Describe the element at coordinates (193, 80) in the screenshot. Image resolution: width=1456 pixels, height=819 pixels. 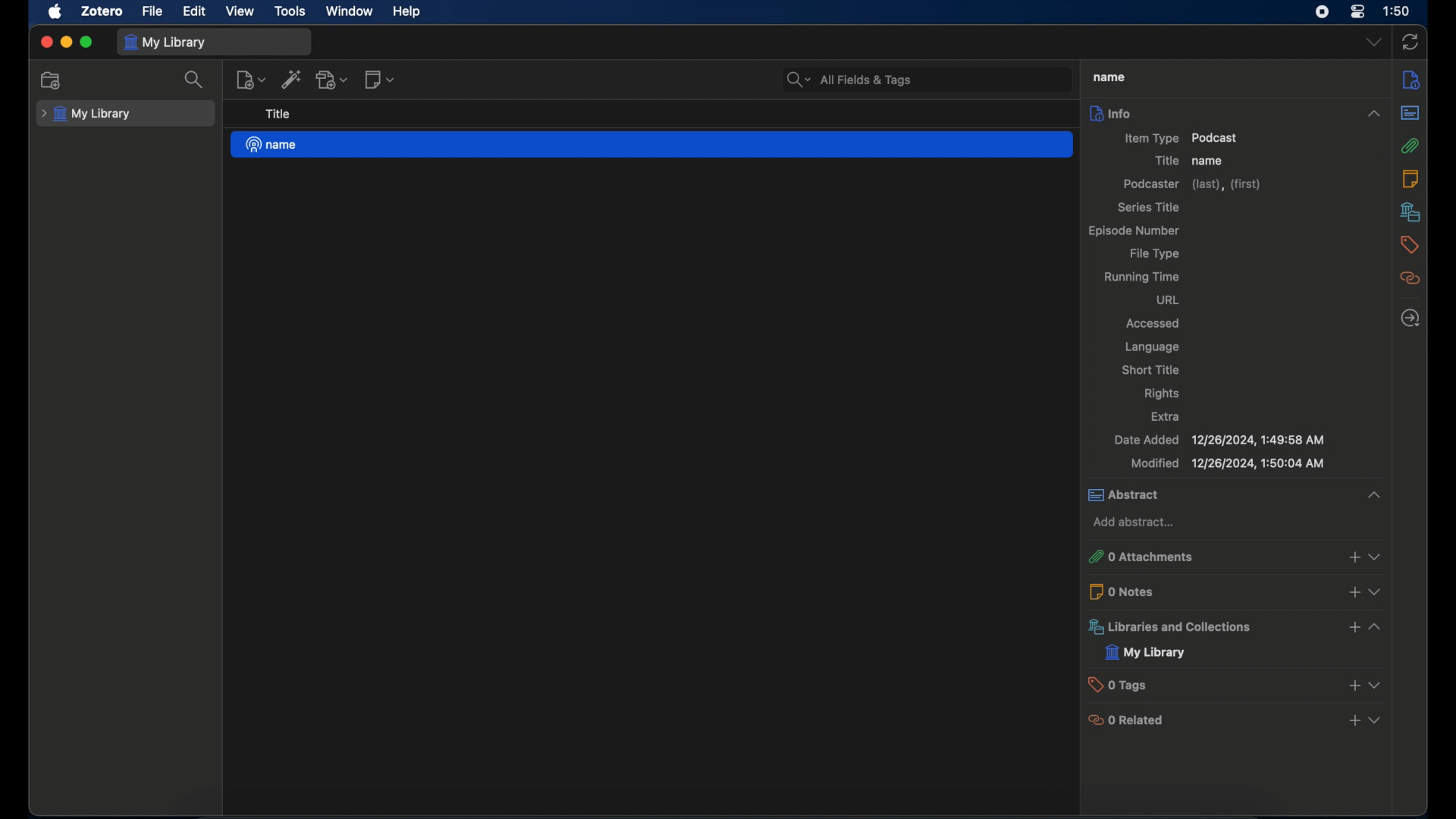
I see `search` at that location.